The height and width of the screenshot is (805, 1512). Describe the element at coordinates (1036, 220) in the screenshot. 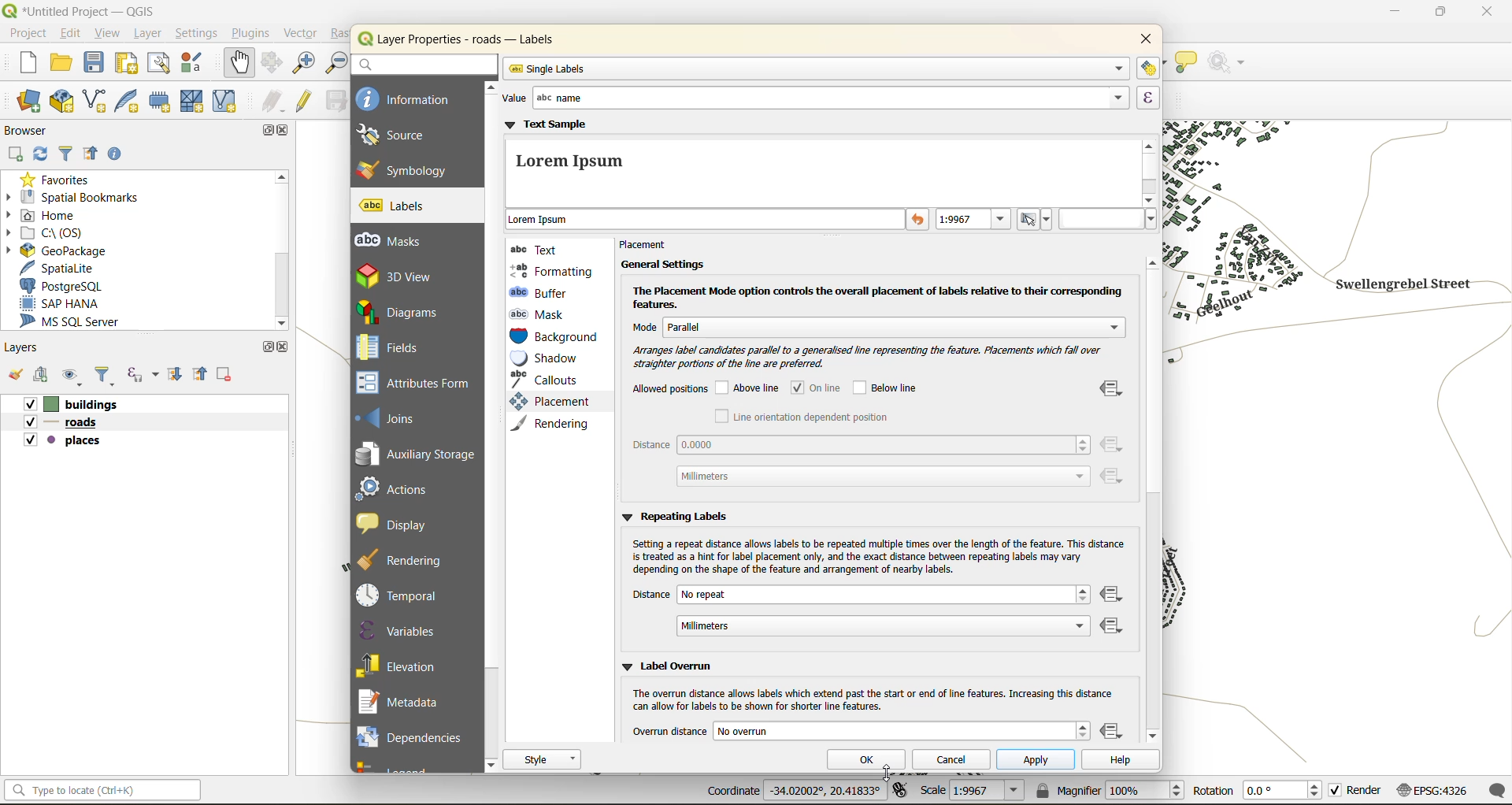

I see `set to current scale` at that location.